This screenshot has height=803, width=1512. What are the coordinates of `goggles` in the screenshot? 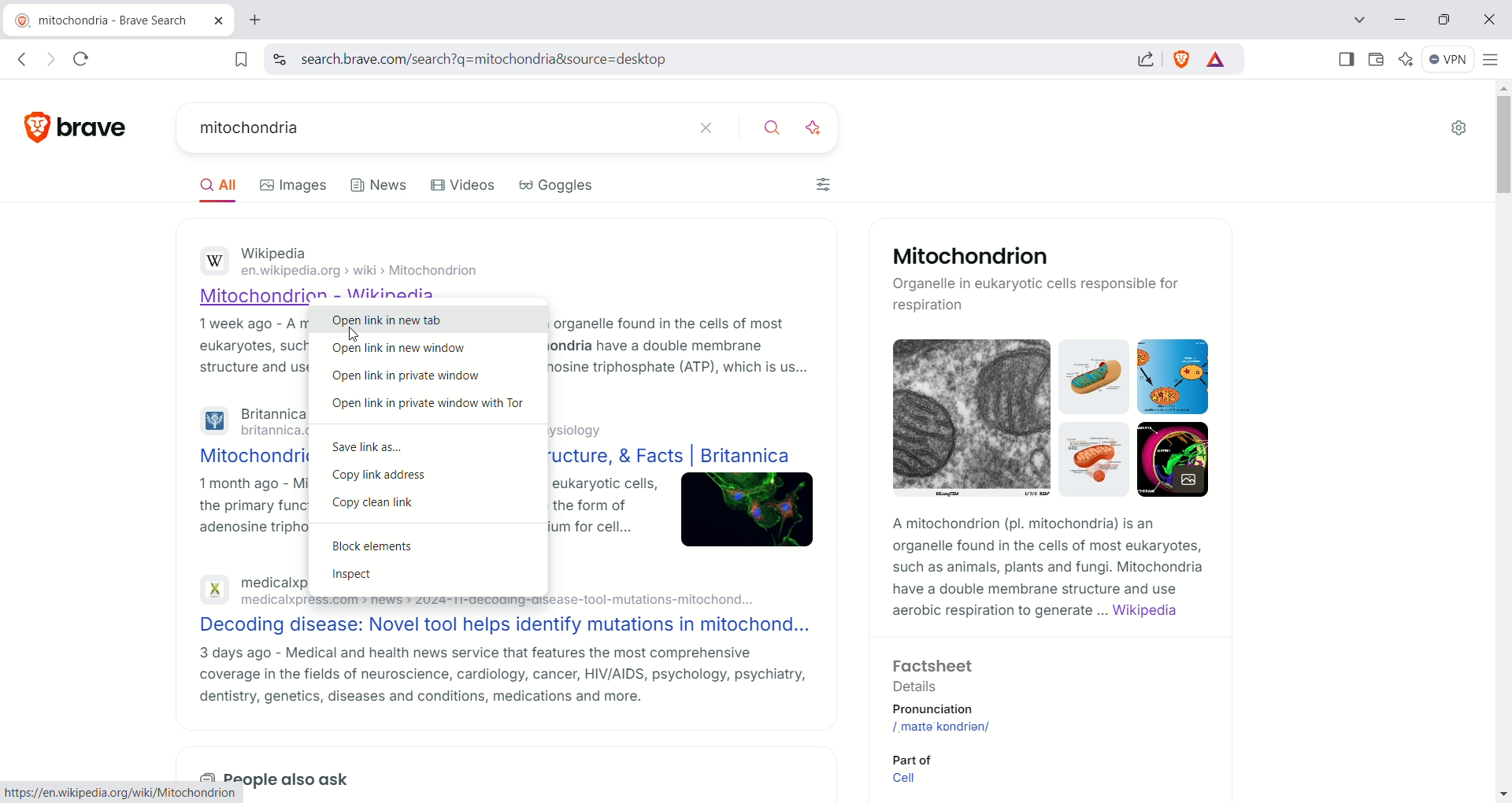 It's located at (557, 190).